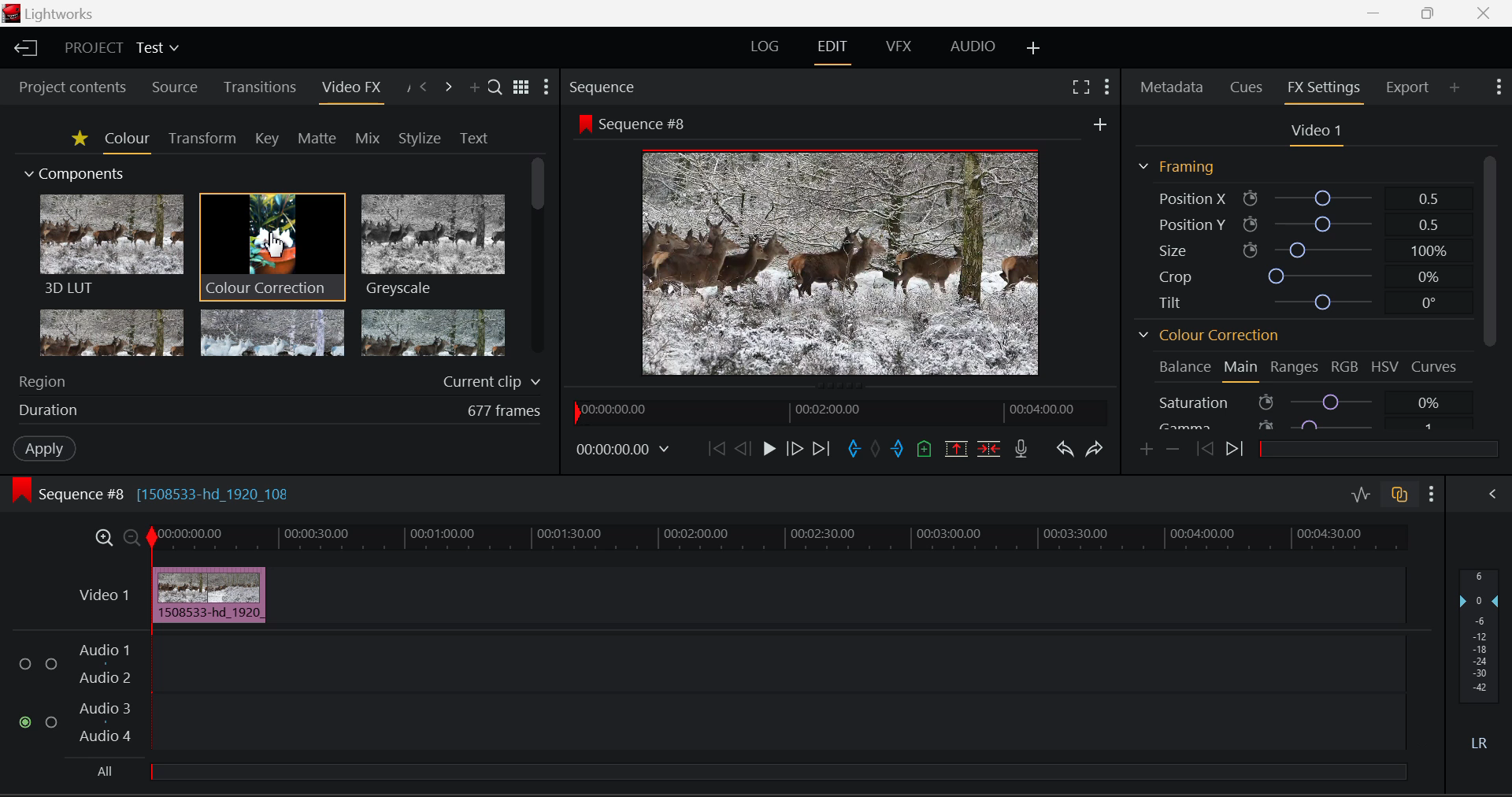 The height and width of the screenshot is (797, 1512). What do you see at coordinates (767, 50) in the screenshot?
I see `LOG Layout` at bounding box center [767, 50].